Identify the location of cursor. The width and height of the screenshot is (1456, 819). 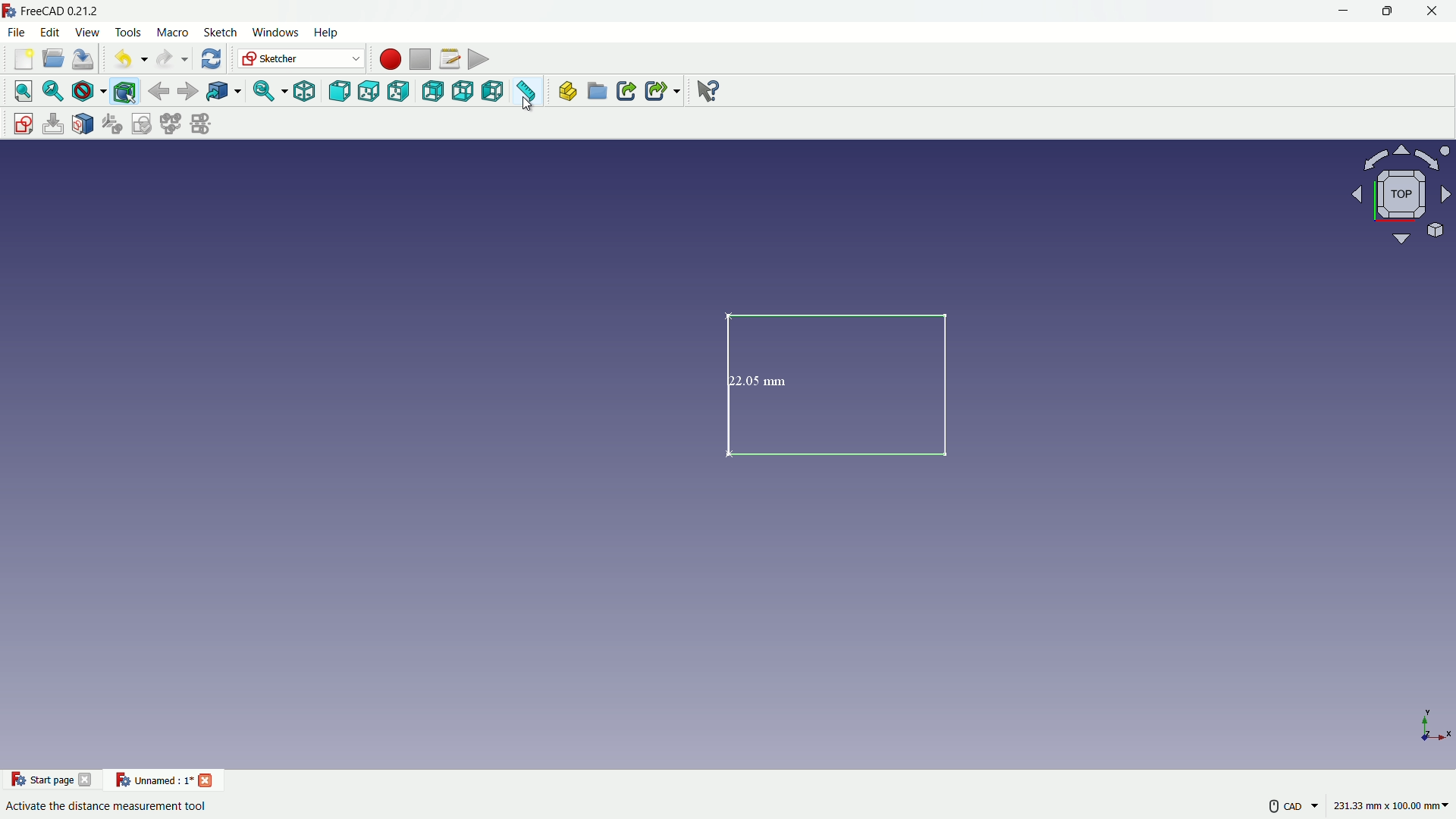
(532, 104).